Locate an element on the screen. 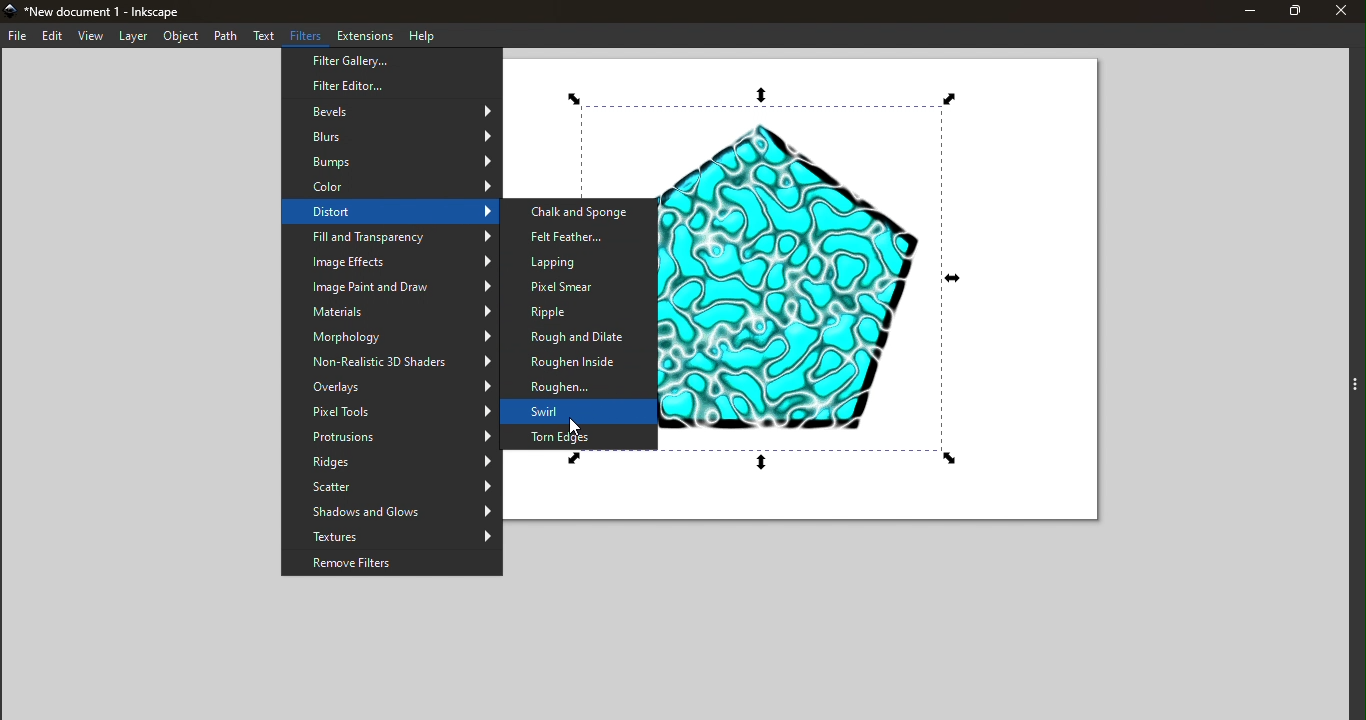 This screenshot has width=1366, height=720. Textures is located at coordinates (393, 538).